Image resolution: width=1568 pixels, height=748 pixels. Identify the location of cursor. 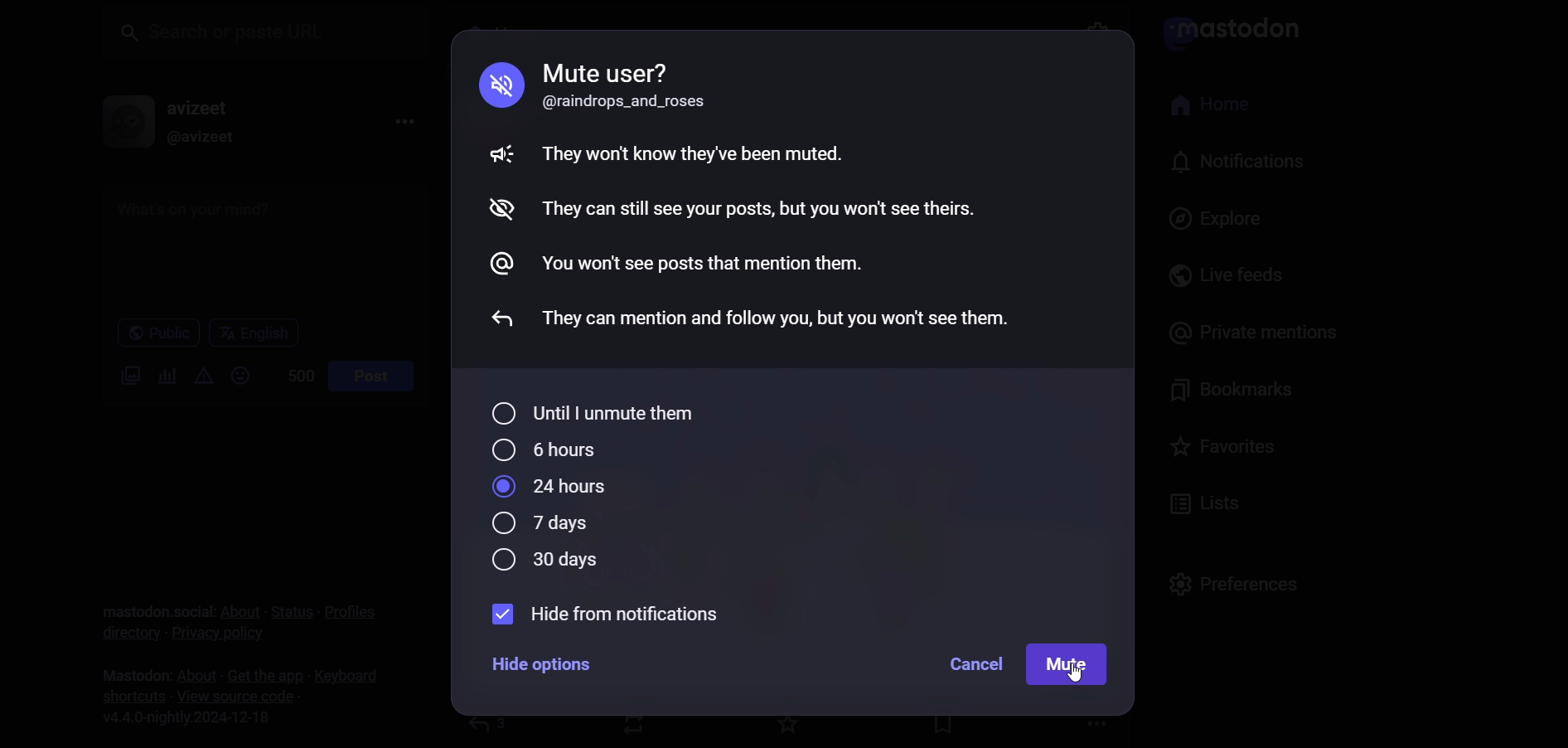
(1080, 677).